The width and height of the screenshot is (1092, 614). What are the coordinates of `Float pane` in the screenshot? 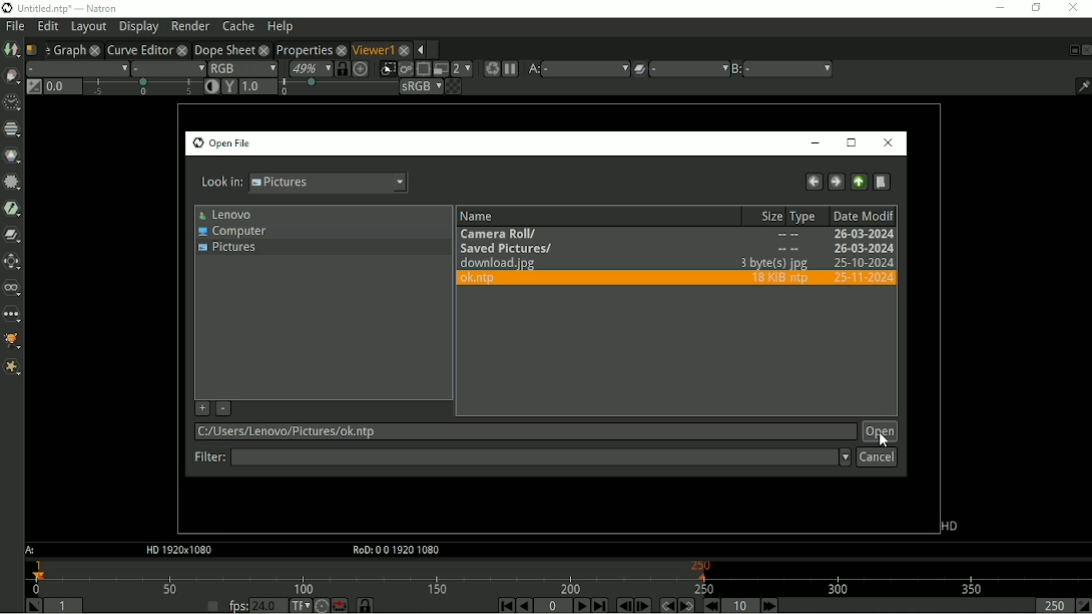 It's located at (1071, 50).